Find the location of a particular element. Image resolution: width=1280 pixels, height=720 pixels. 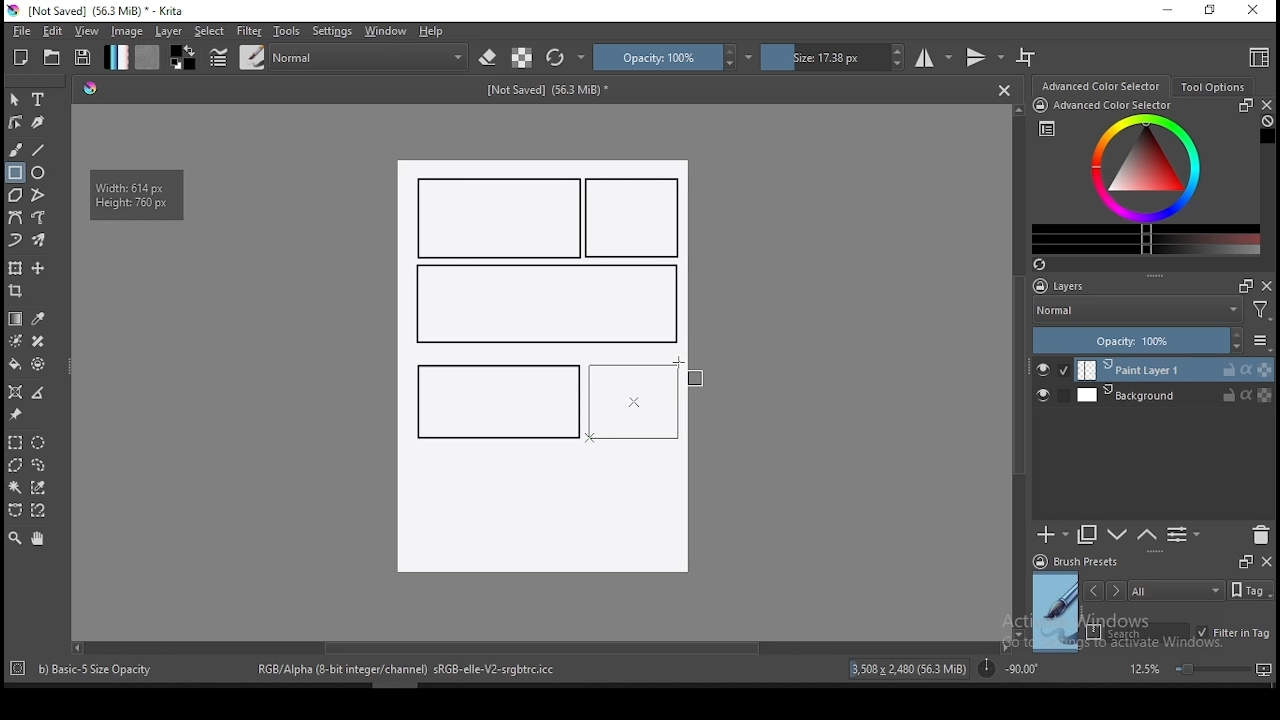

size is located at coordinates (833, 57).